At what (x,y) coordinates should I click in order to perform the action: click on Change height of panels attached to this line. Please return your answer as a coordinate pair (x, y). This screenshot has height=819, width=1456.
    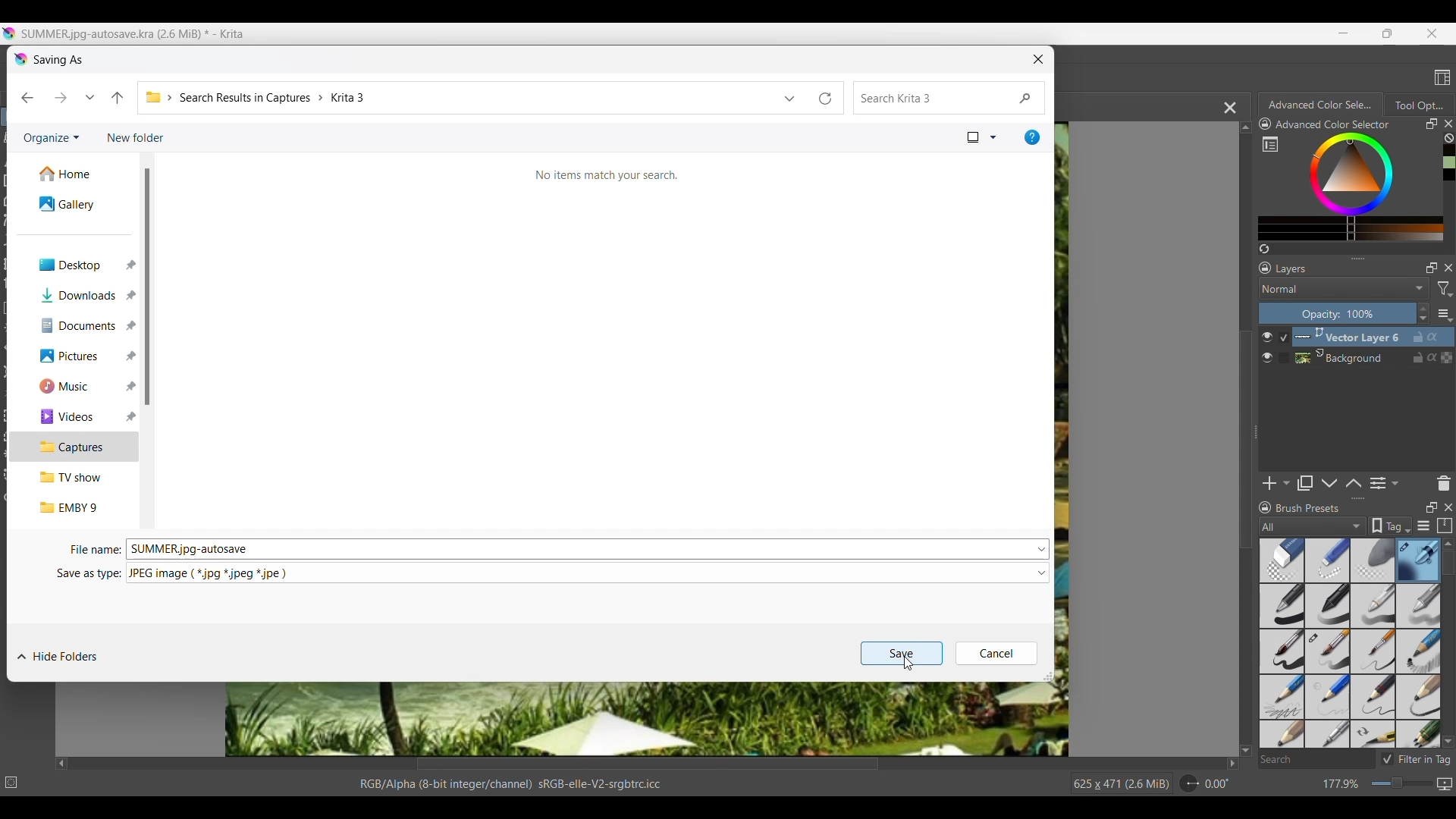
    Looking at the image, I should click on (1338, 258).